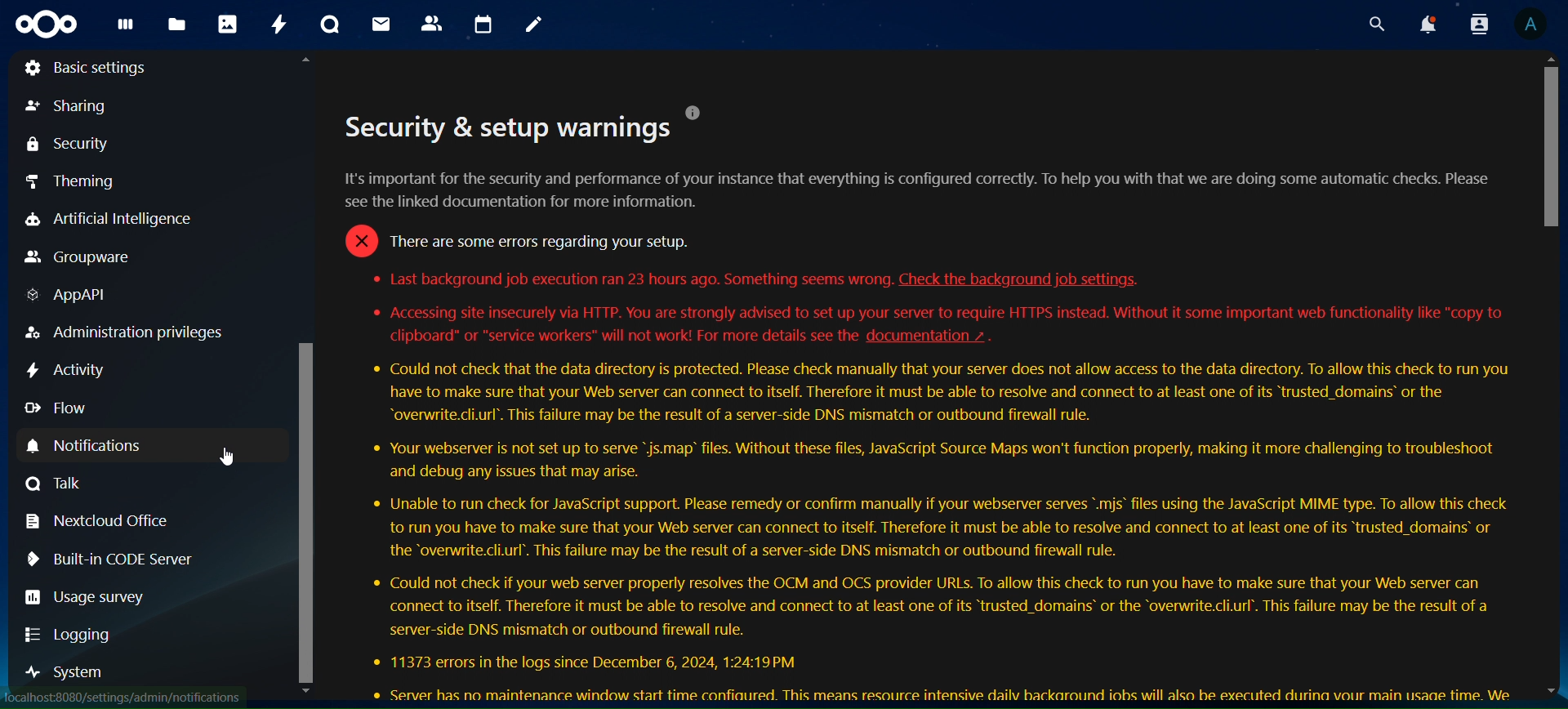 This screenshot has height=709, width=1568. Describe the element at coordinates (178, 25) in the screenshot. I see `files` at that location.